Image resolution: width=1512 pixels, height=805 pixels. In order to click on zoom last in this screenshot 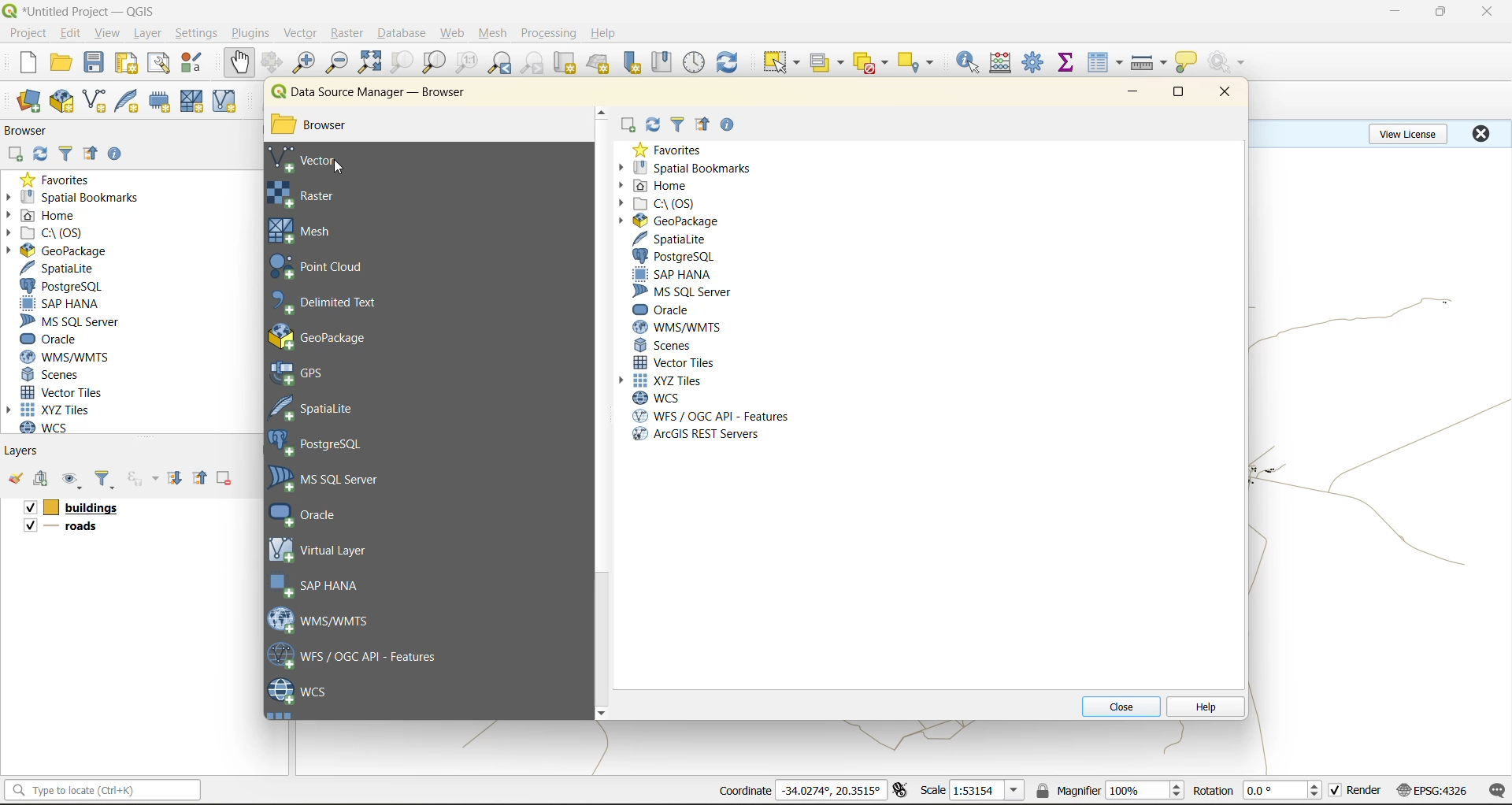, I will do `click(499, 63)`.